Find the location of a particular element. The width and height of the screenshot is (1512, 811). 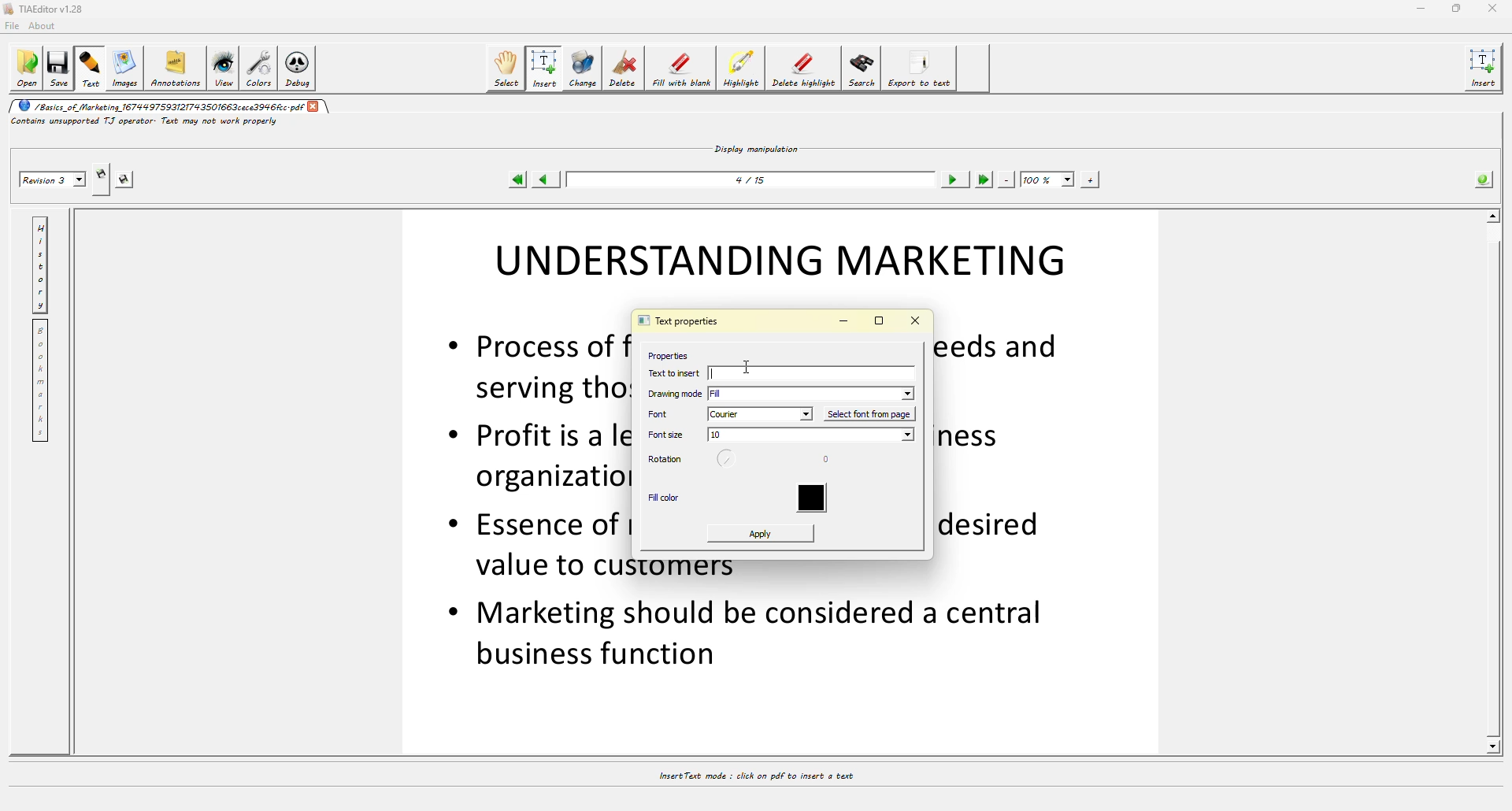

highlight is located at coordinates (741, 69).